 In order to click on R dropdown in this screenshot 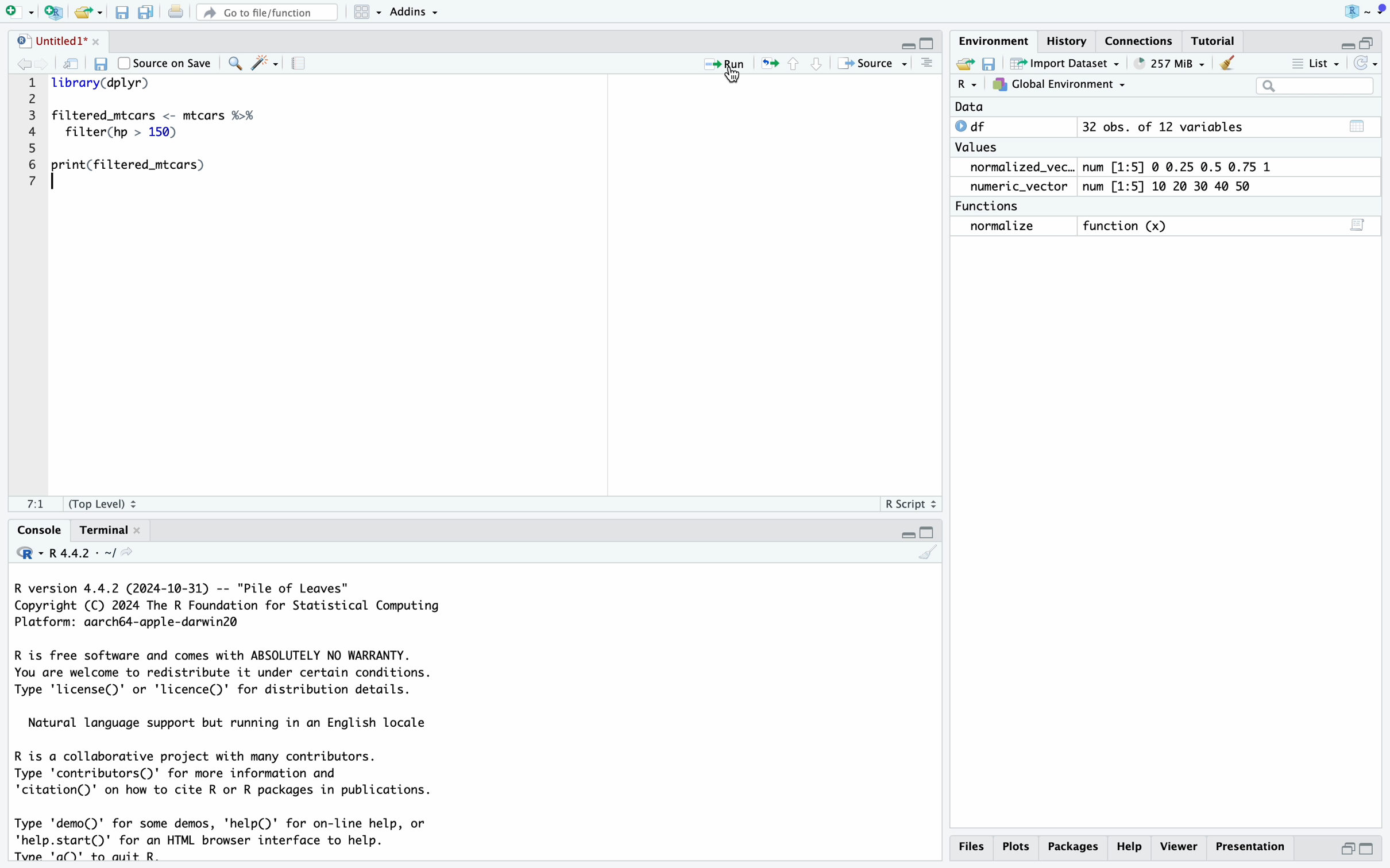, I will do `click(967, 84)`.